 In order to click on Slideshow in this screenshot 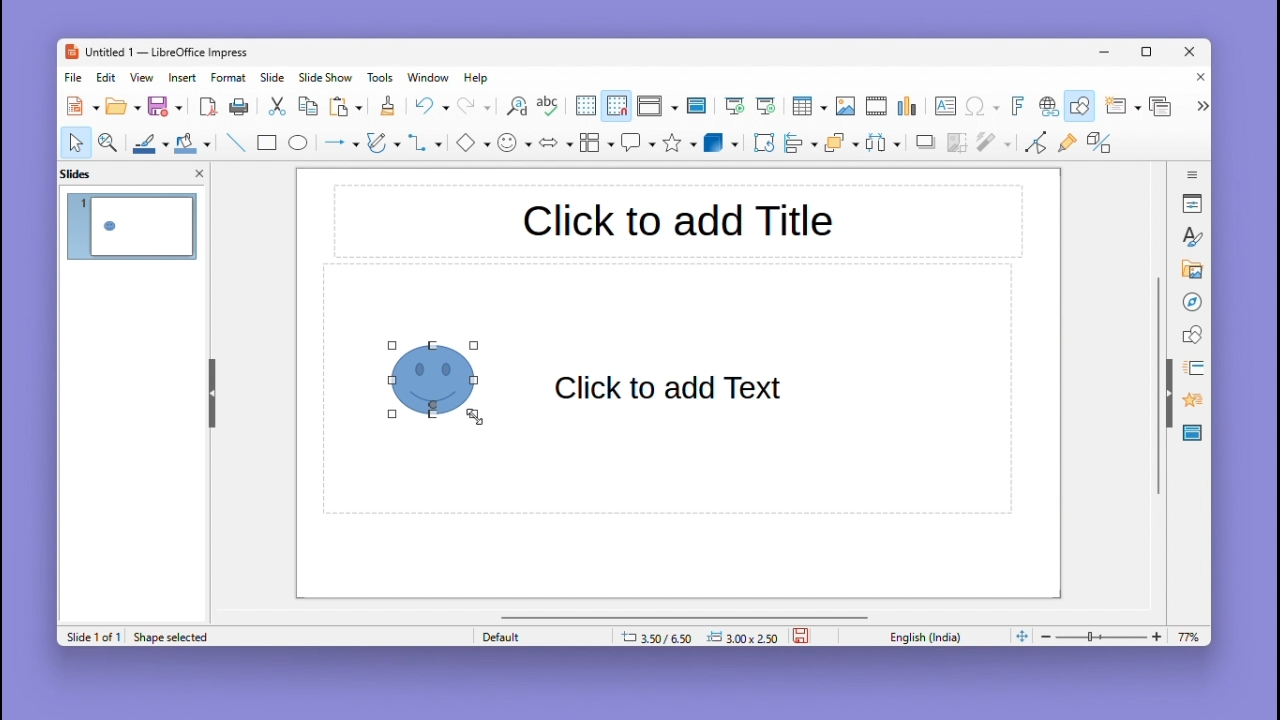, I will do `click(327, 78)`.